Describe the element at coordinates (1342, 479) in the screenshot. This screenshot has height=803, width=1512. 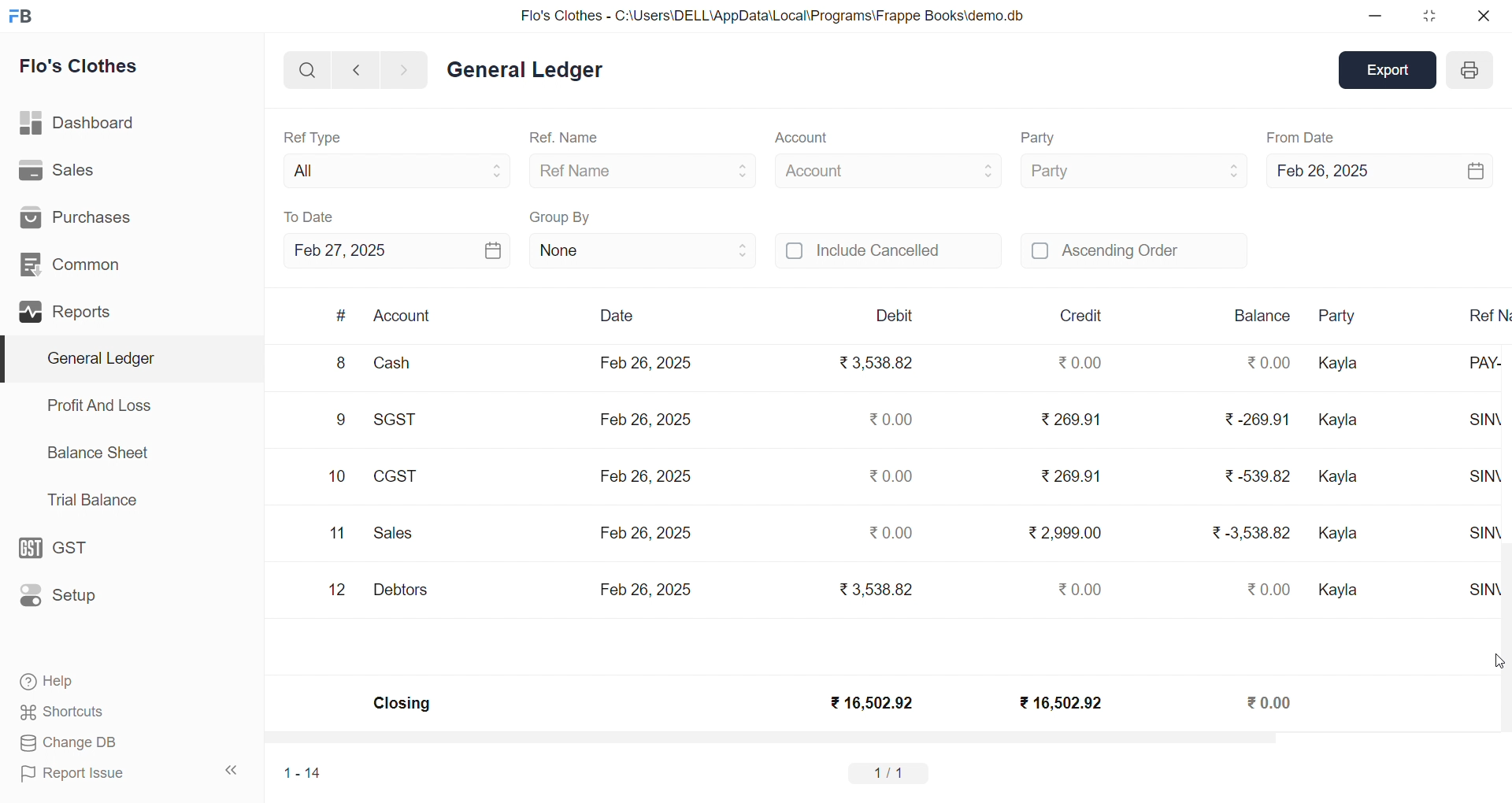
I see `Kayla` at that location.